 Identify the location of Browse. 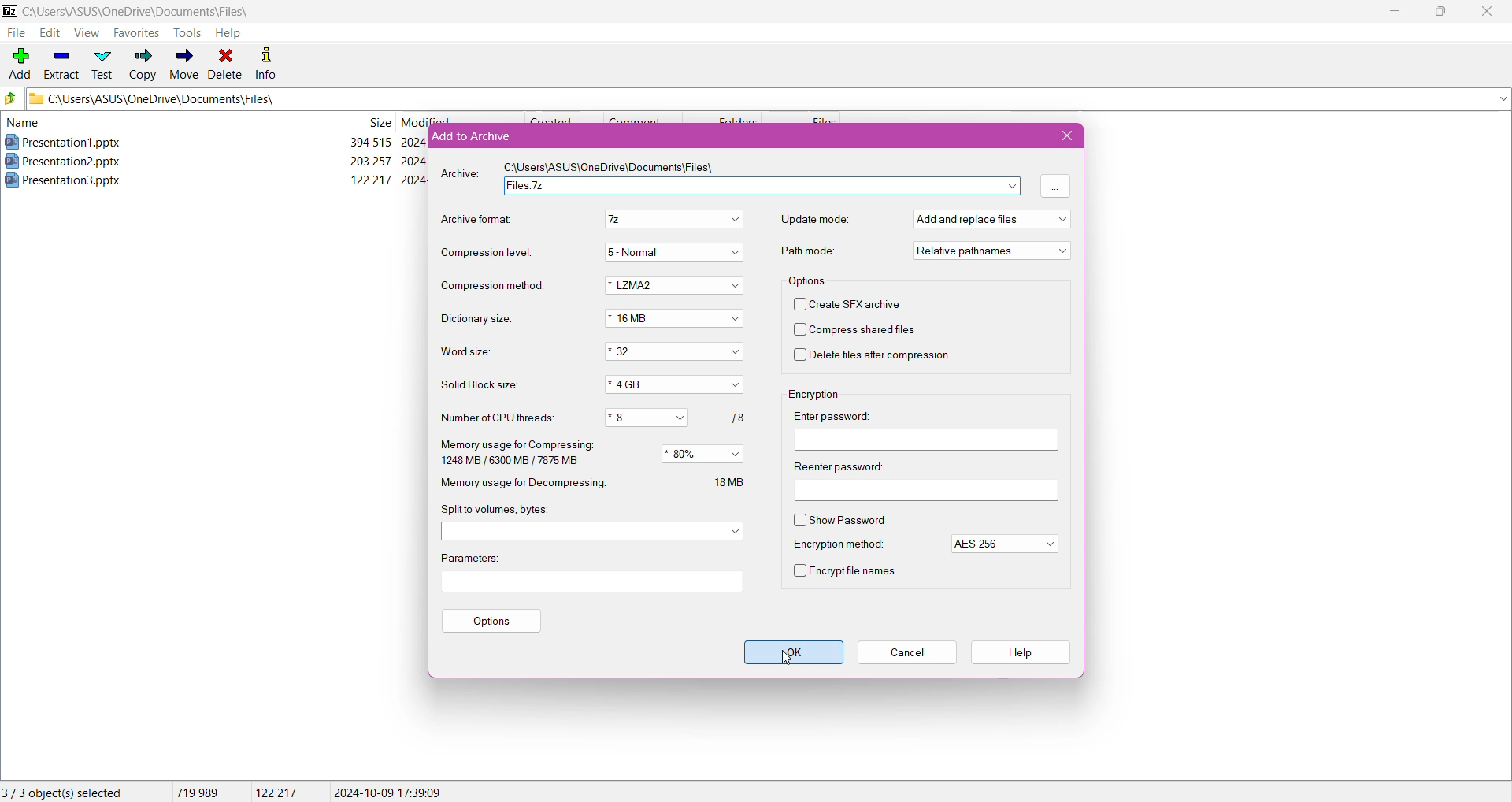
(1054, 186).